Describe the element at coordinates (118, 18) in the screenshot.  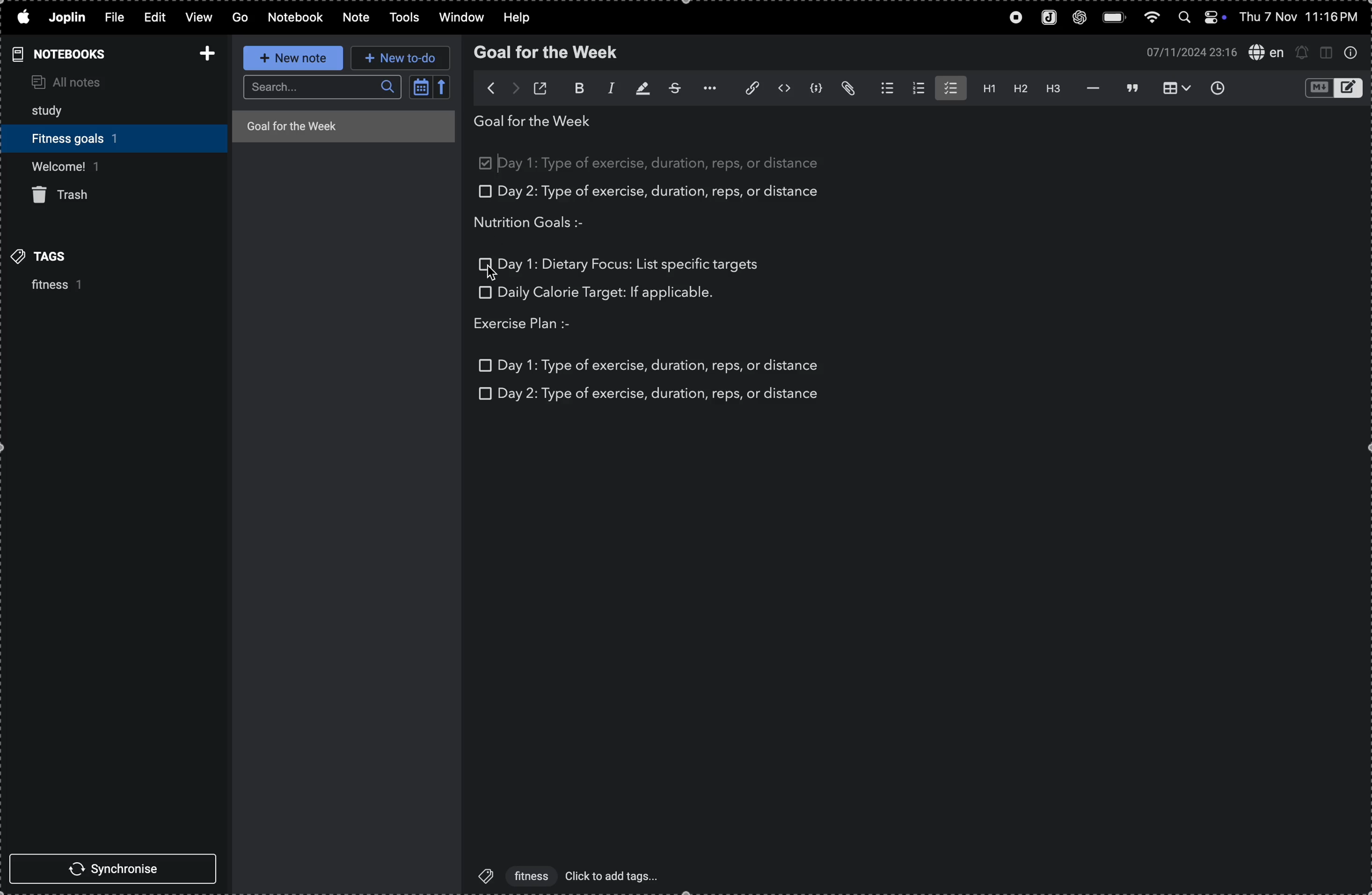
I see `file` at that location.